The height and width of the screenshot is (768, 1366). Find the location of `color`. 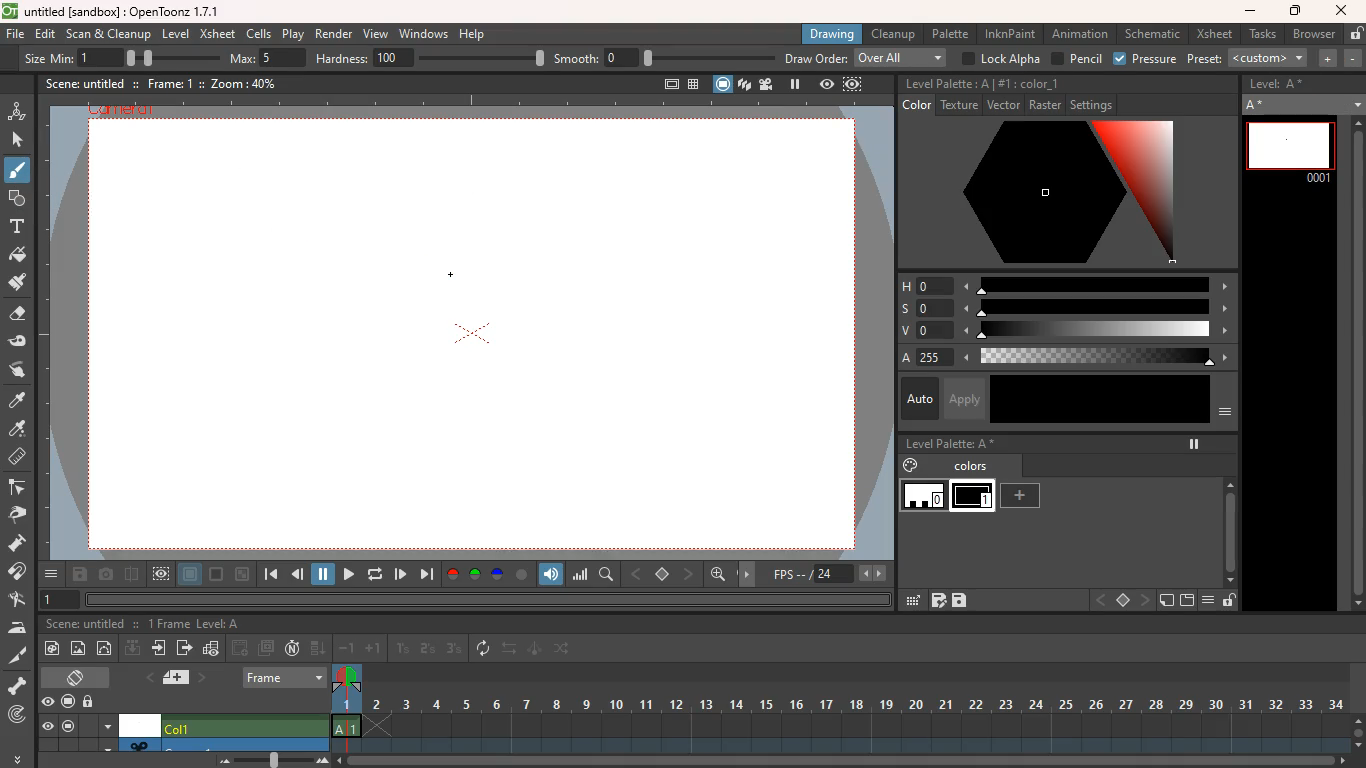

color is located at coordinates (1100, 399).